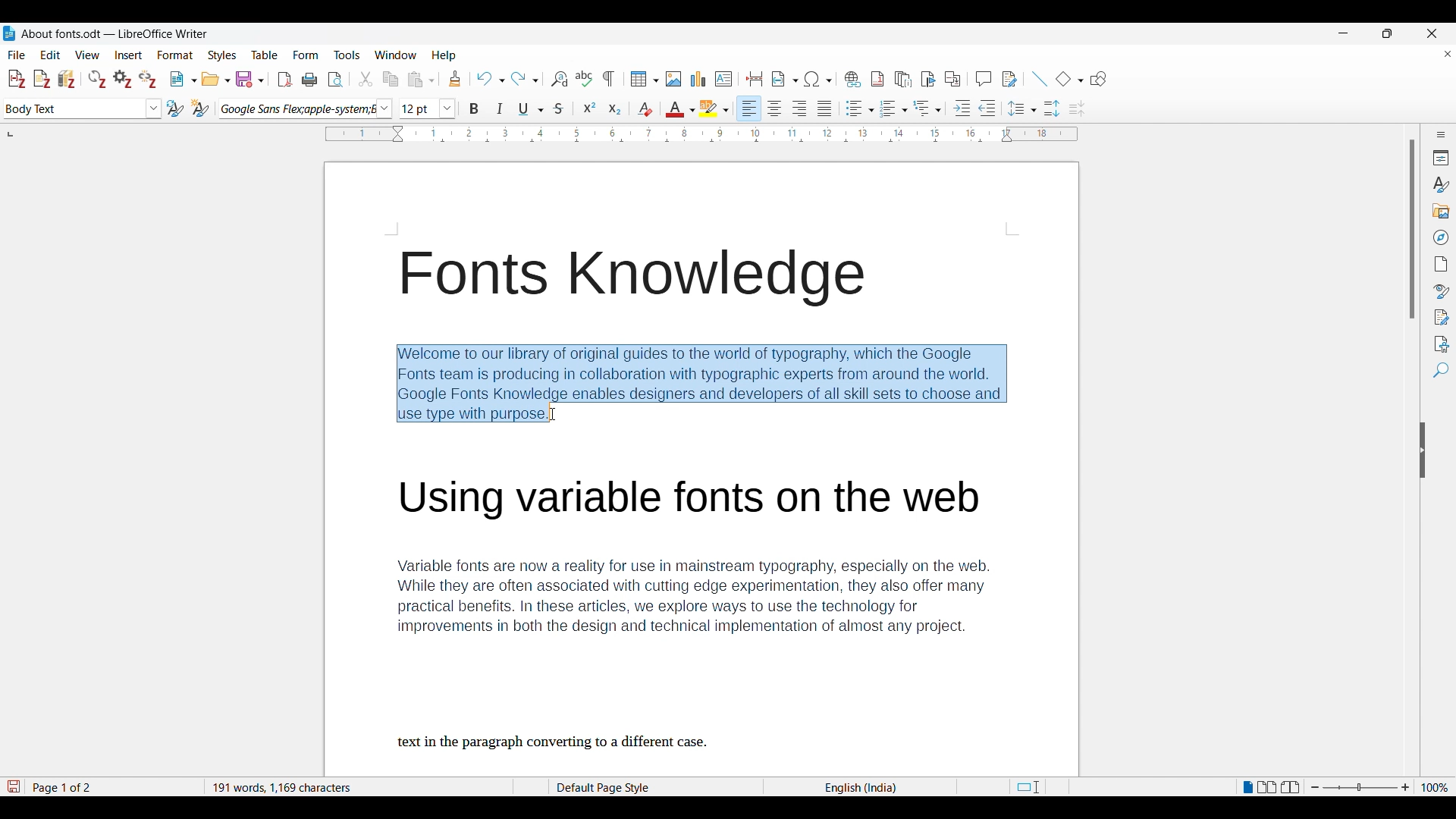  Describe the element at coordinates (723, 79) in the screenshot. I see `Insert text box` at that location.